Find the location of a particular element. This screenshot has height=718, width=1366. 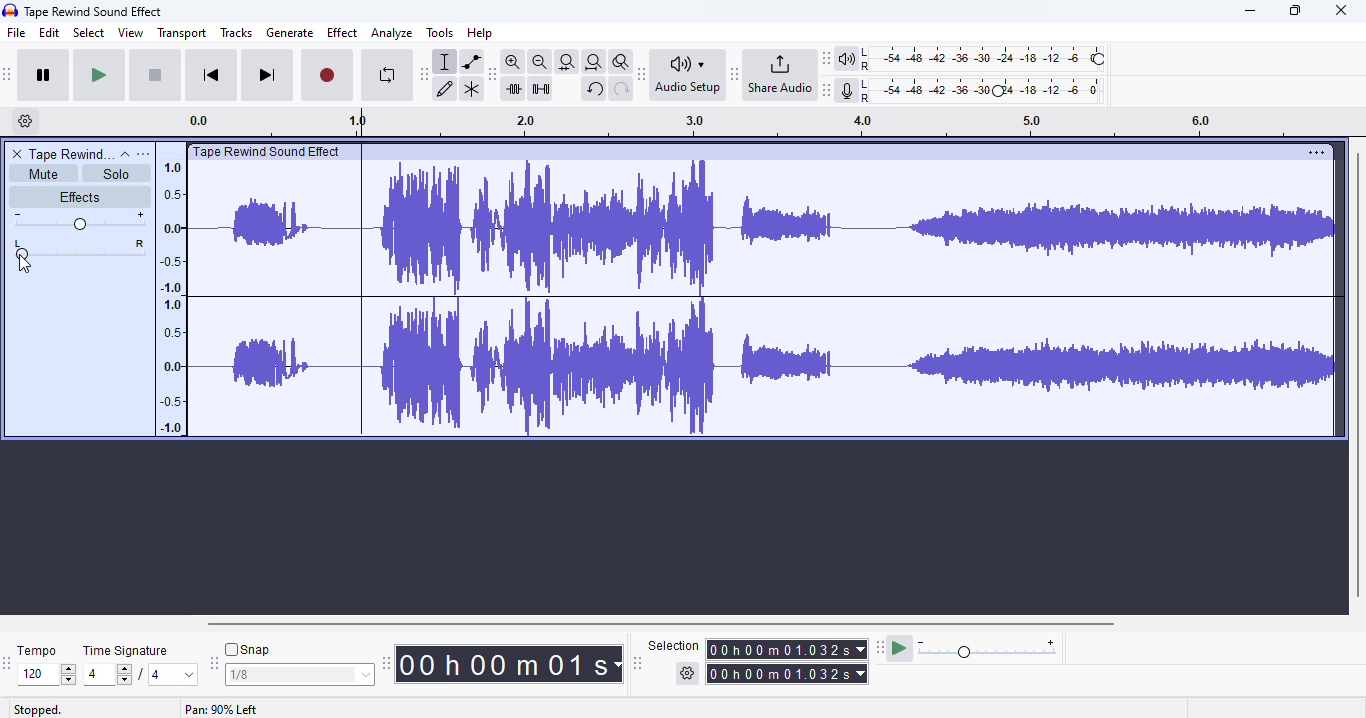

delete track is located at coordinates (18, 154).